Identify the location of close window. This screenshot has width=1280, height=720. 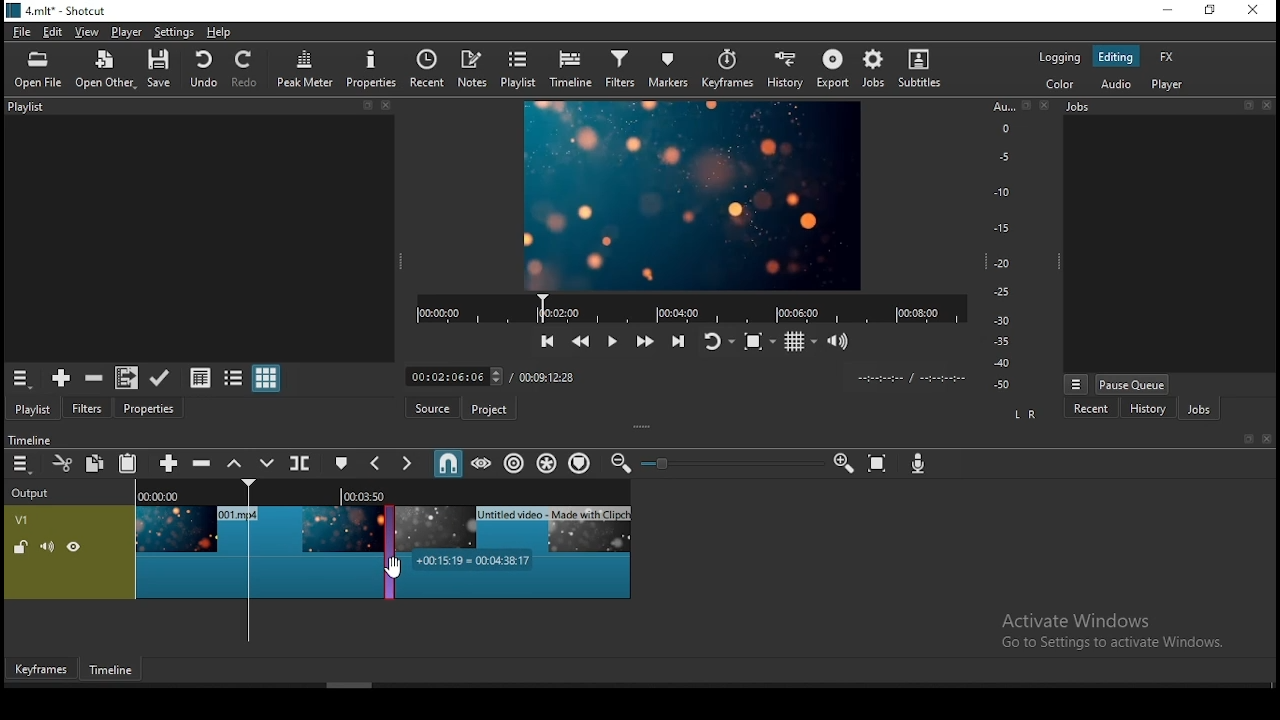
(1255, 10).